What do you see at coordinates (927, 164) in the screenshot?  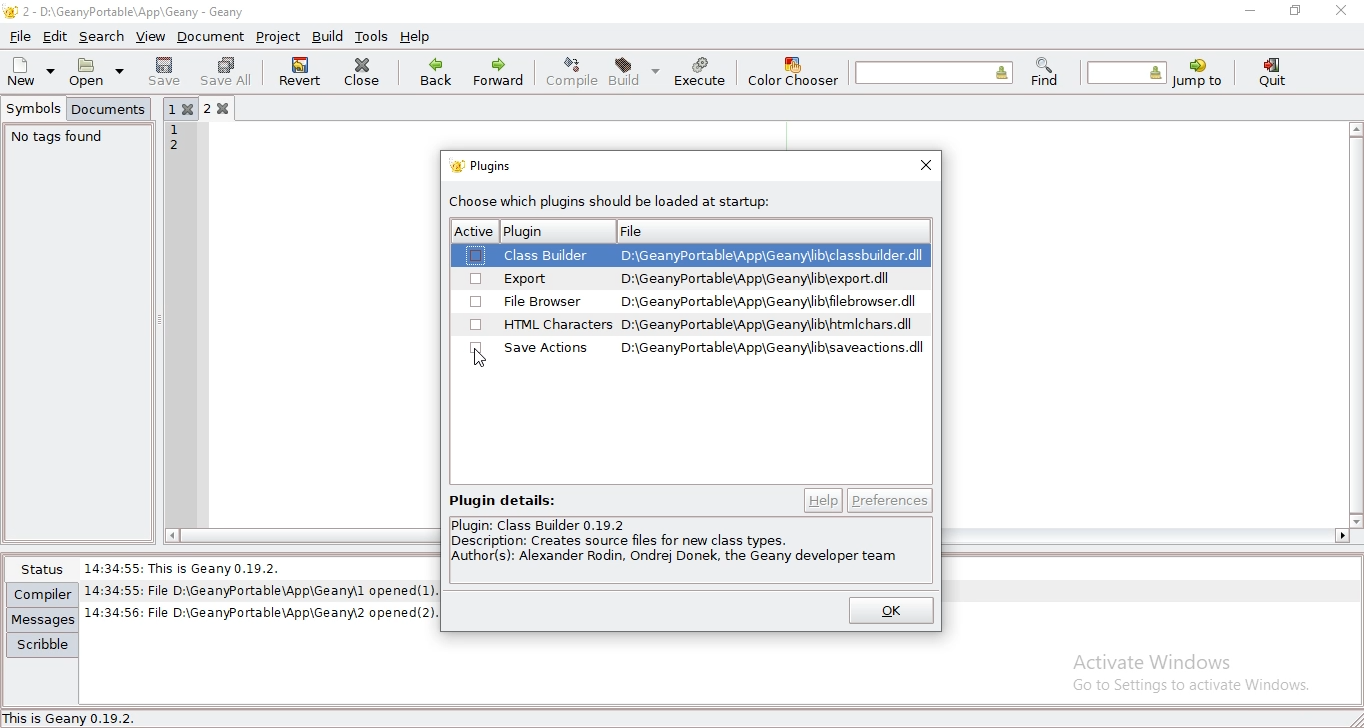 I see `close` at bounding box center [927, 164].